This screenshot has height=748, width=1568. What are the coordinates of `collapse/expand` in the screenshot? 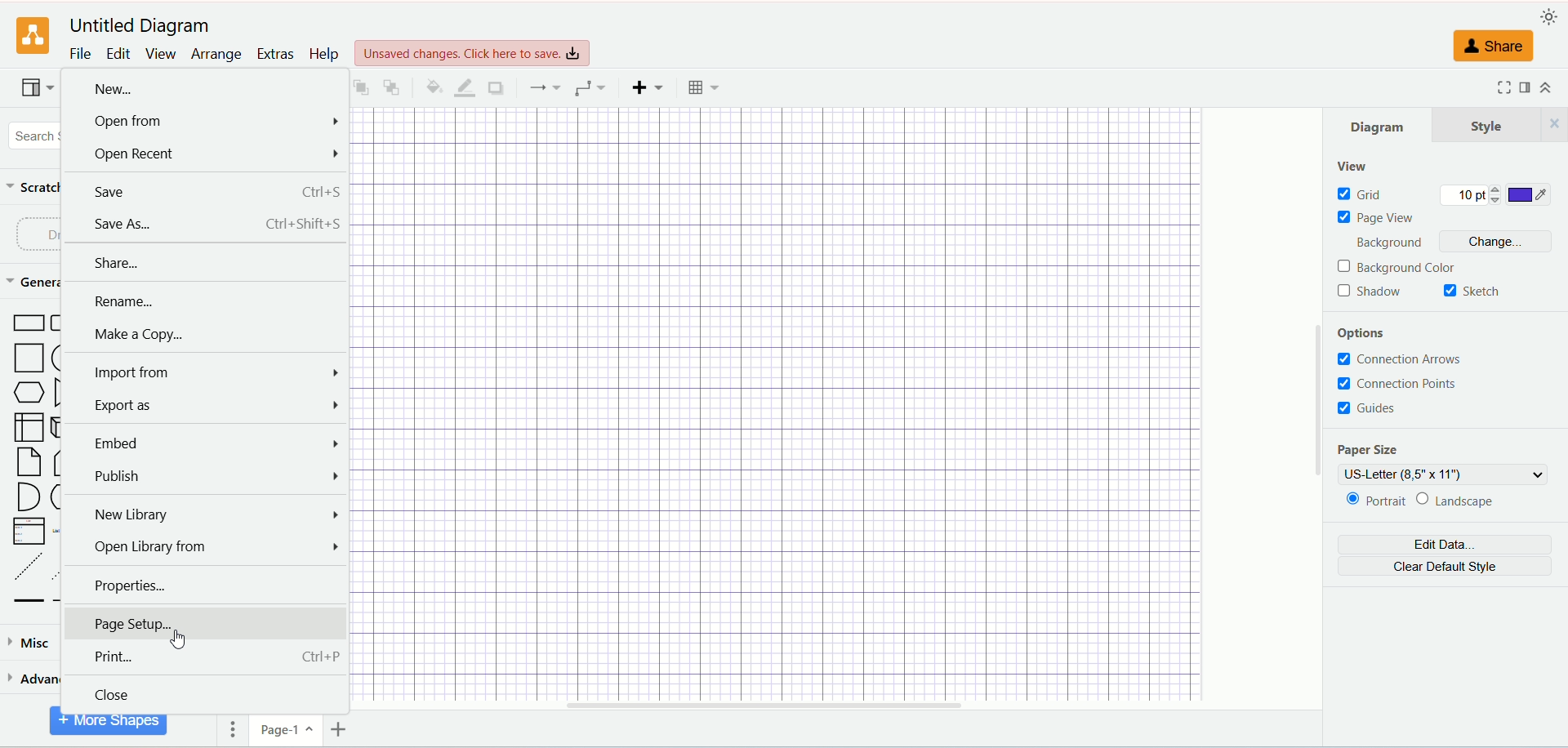 It's located at (1552, 89).